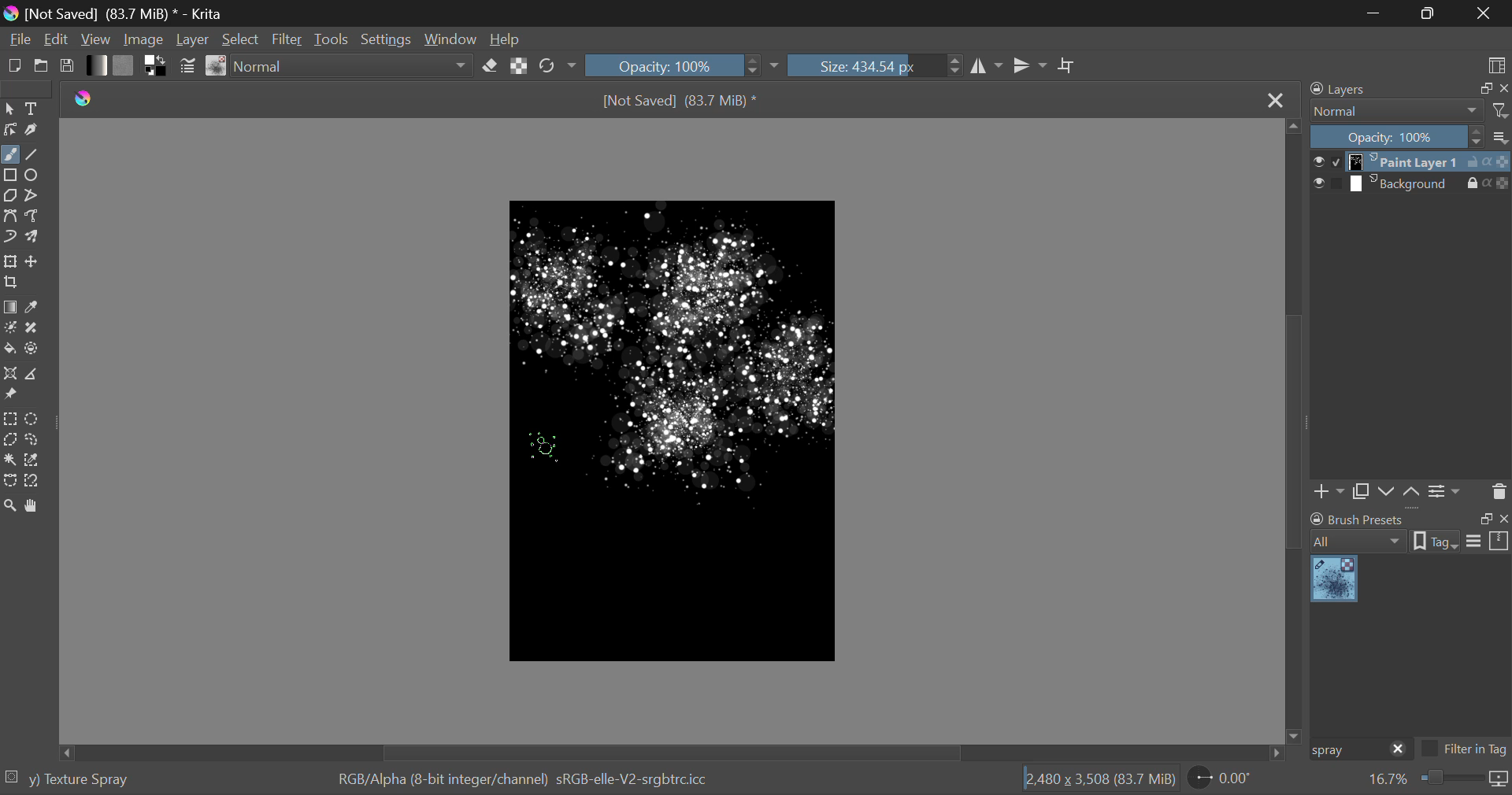 The image size is (1512, 795). I want to click on Layer Movement up, so click(1412, 494).